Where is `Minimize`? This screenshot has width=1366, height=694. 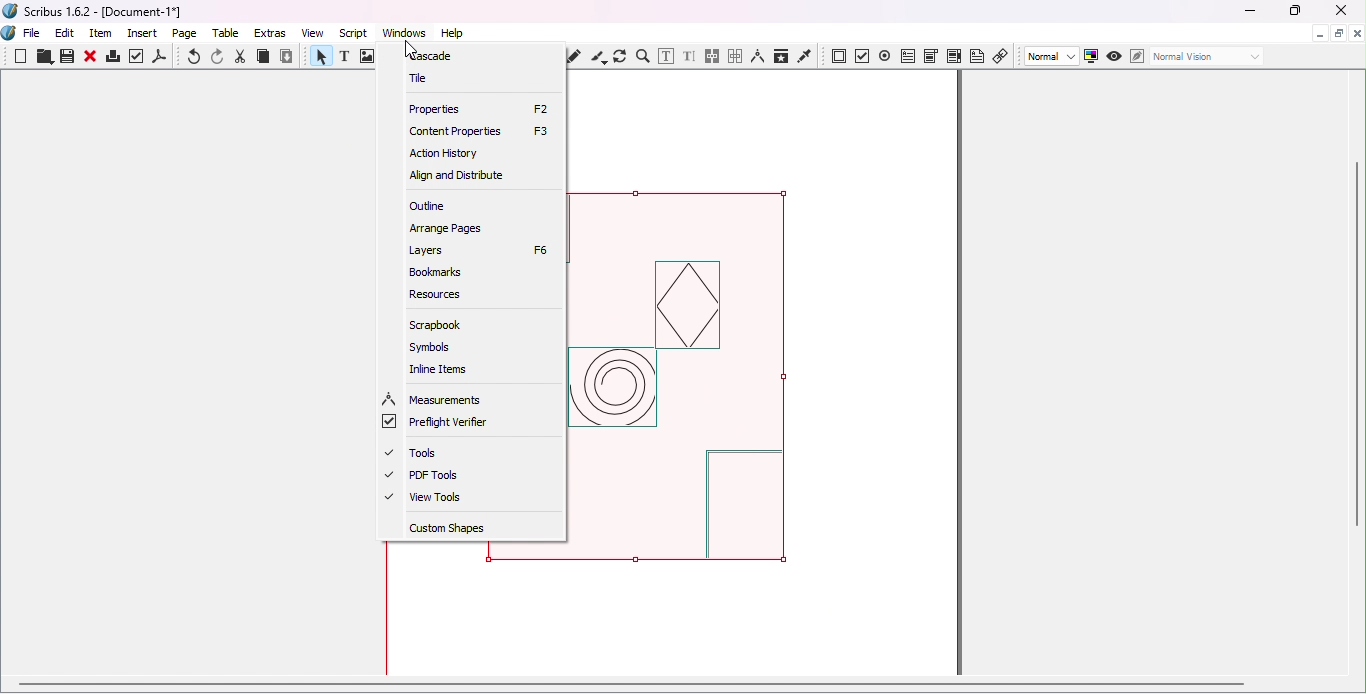 Minimize is located at coordinates (1318, 32).